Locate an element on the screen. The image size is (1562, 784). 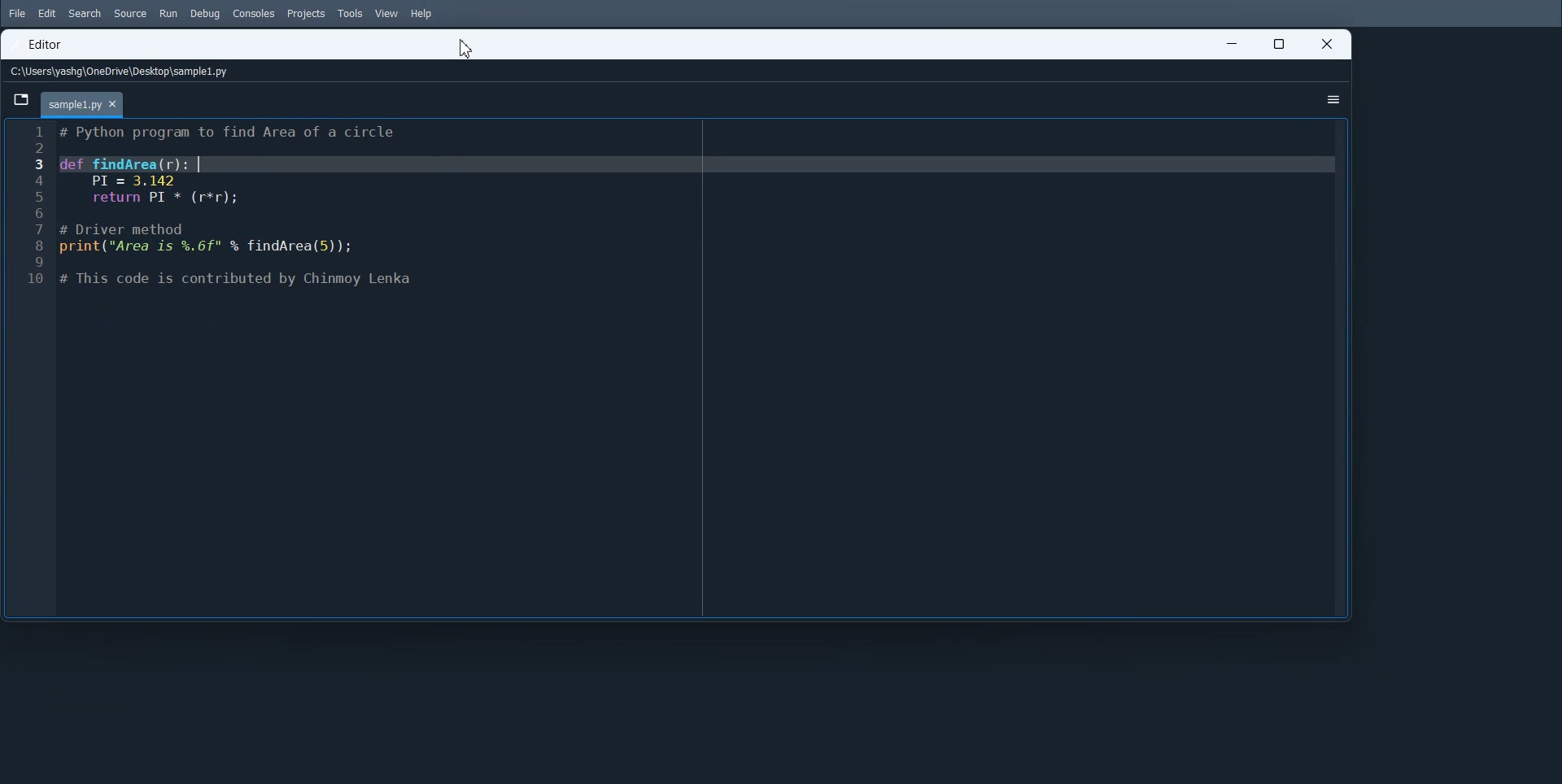
# Function to find the area of a circle def findArea(r):     PI = 3.143     return PI * (r * r)  # Driver method radius = 5  # You can change the value of radius to test with different inputs print("Area is", findArea(radius)) is located at coordinates (702, 368).